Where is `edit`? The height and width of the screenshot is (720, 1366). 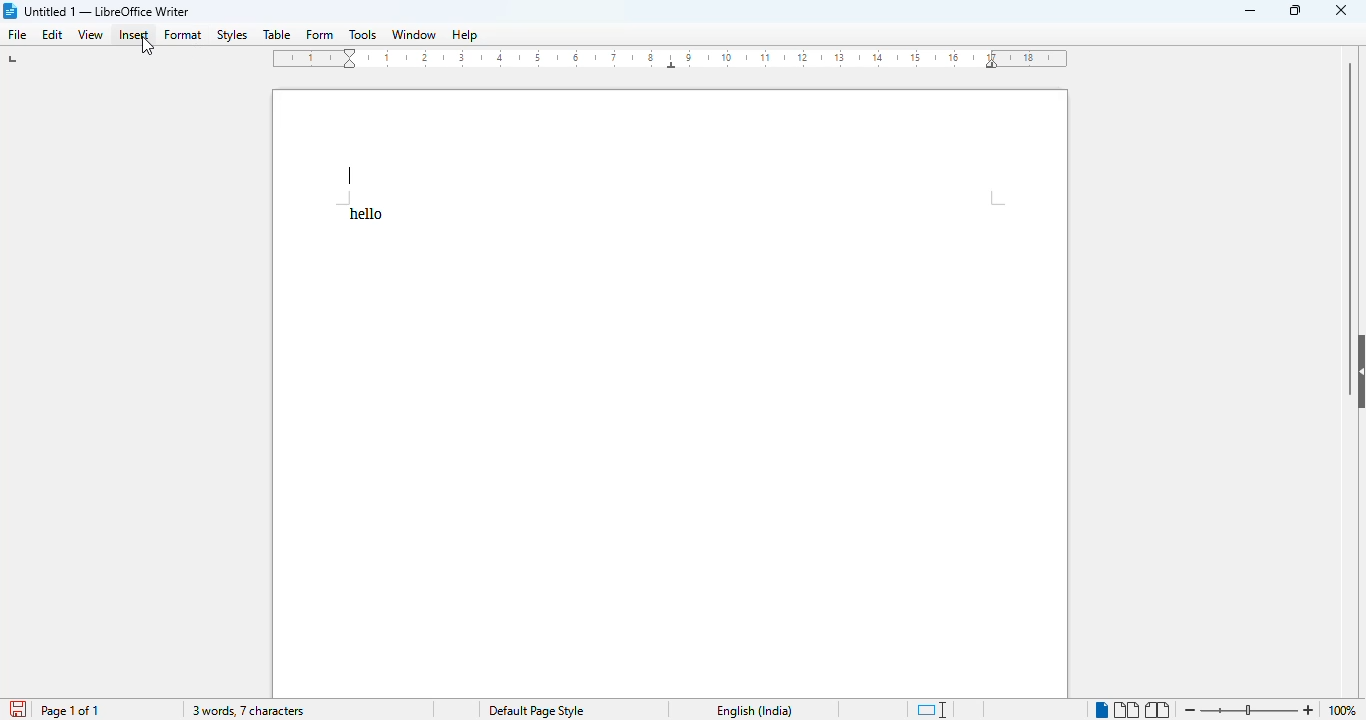
edit is located at coordinates (53, 34).